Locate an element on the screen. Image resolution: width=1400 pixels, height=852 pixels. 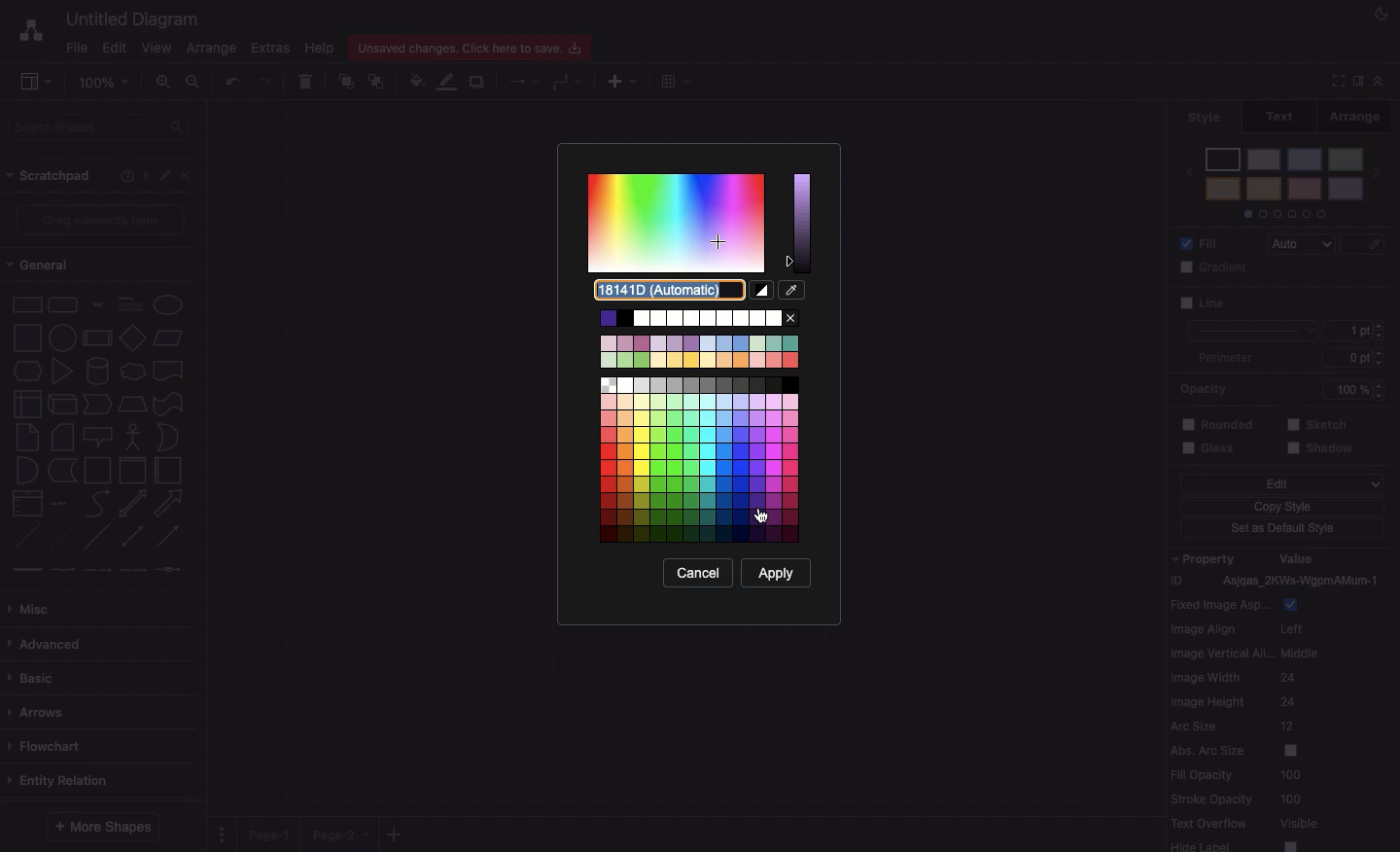
Picker is located at coordinates (792, 289).